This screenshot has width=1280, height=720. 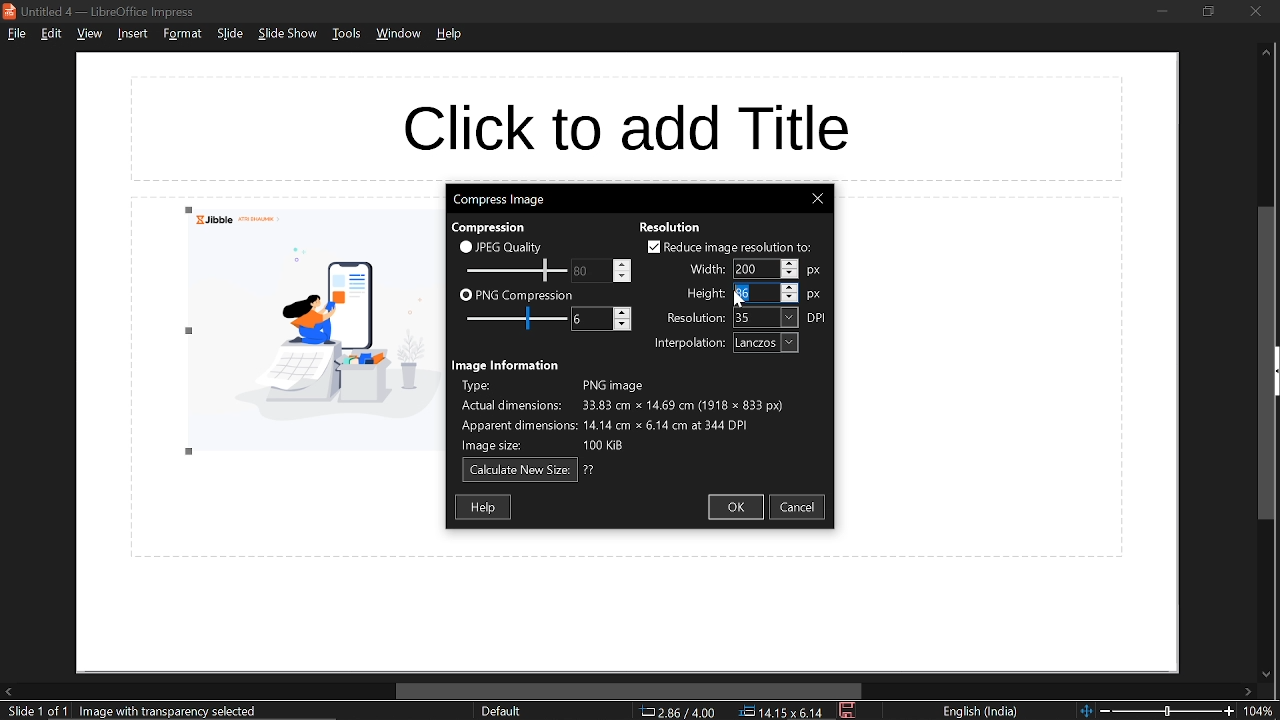 I want to click on minimize, so click(x=1162, y=10).